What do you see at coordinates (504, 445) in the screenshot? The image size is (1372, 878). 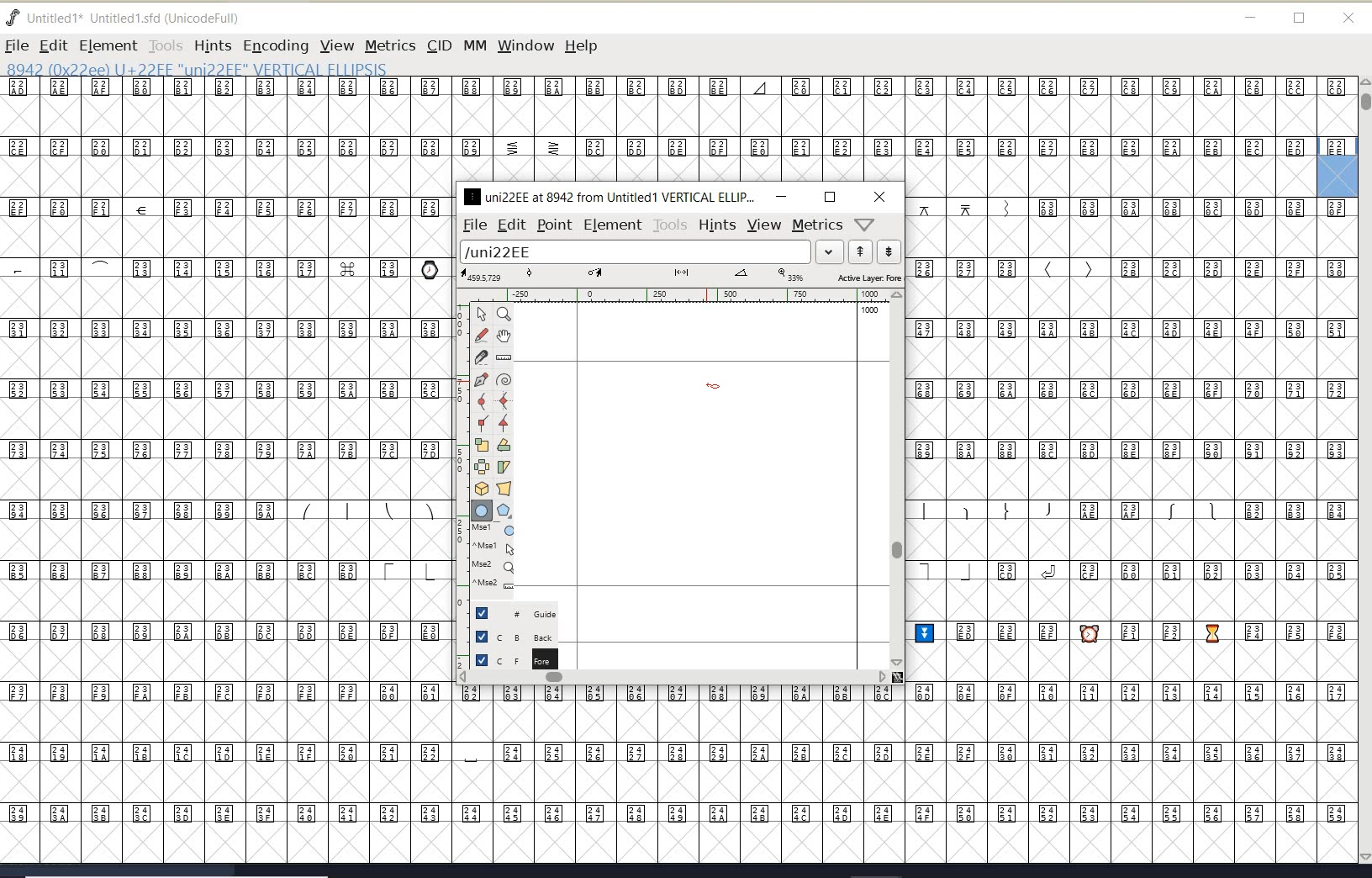 I see `rotate the selection` at bounding box center [504, 445].